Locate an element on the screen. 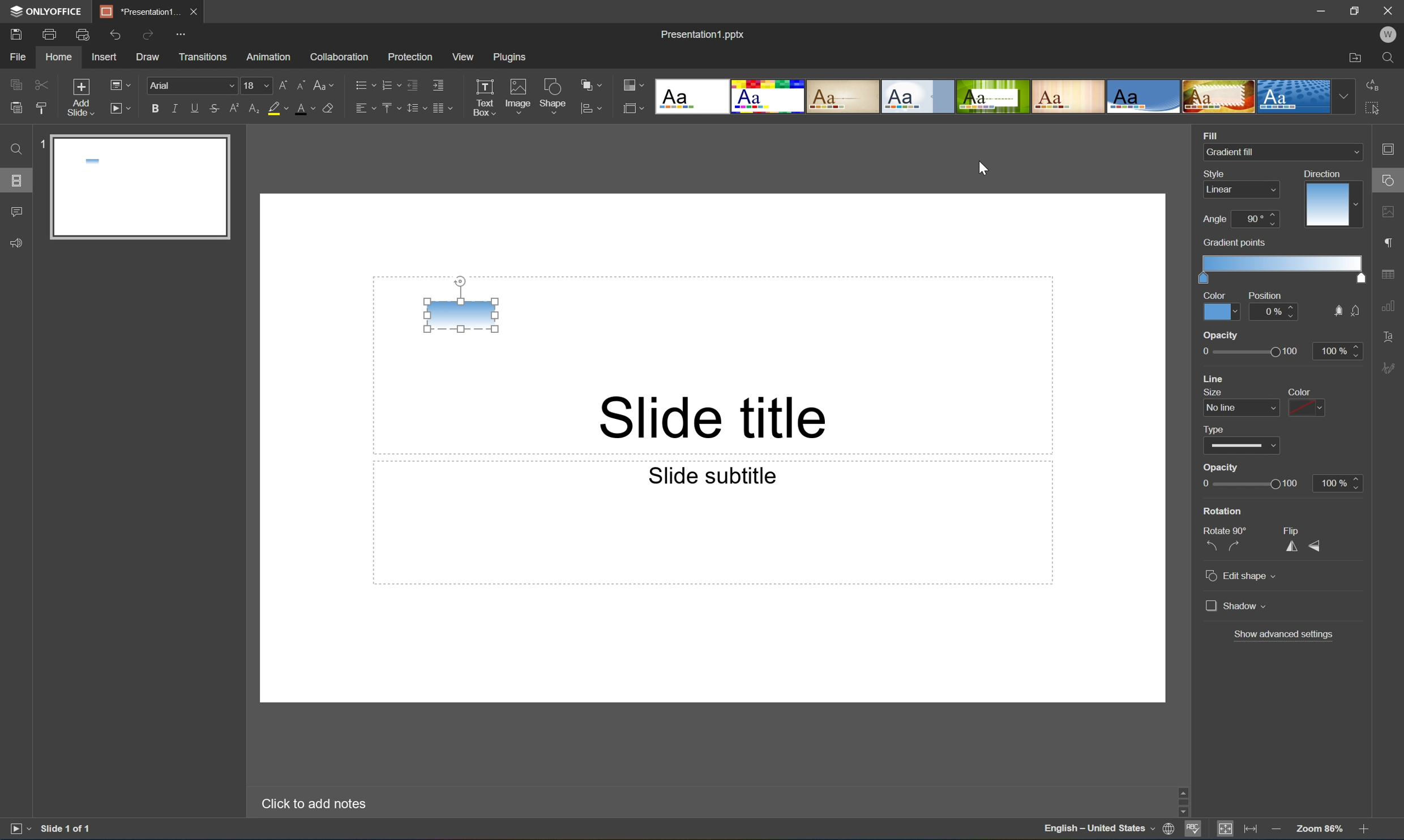 This screenshot has height=840, width=1404. 18 is located at coordinates (257, 85).